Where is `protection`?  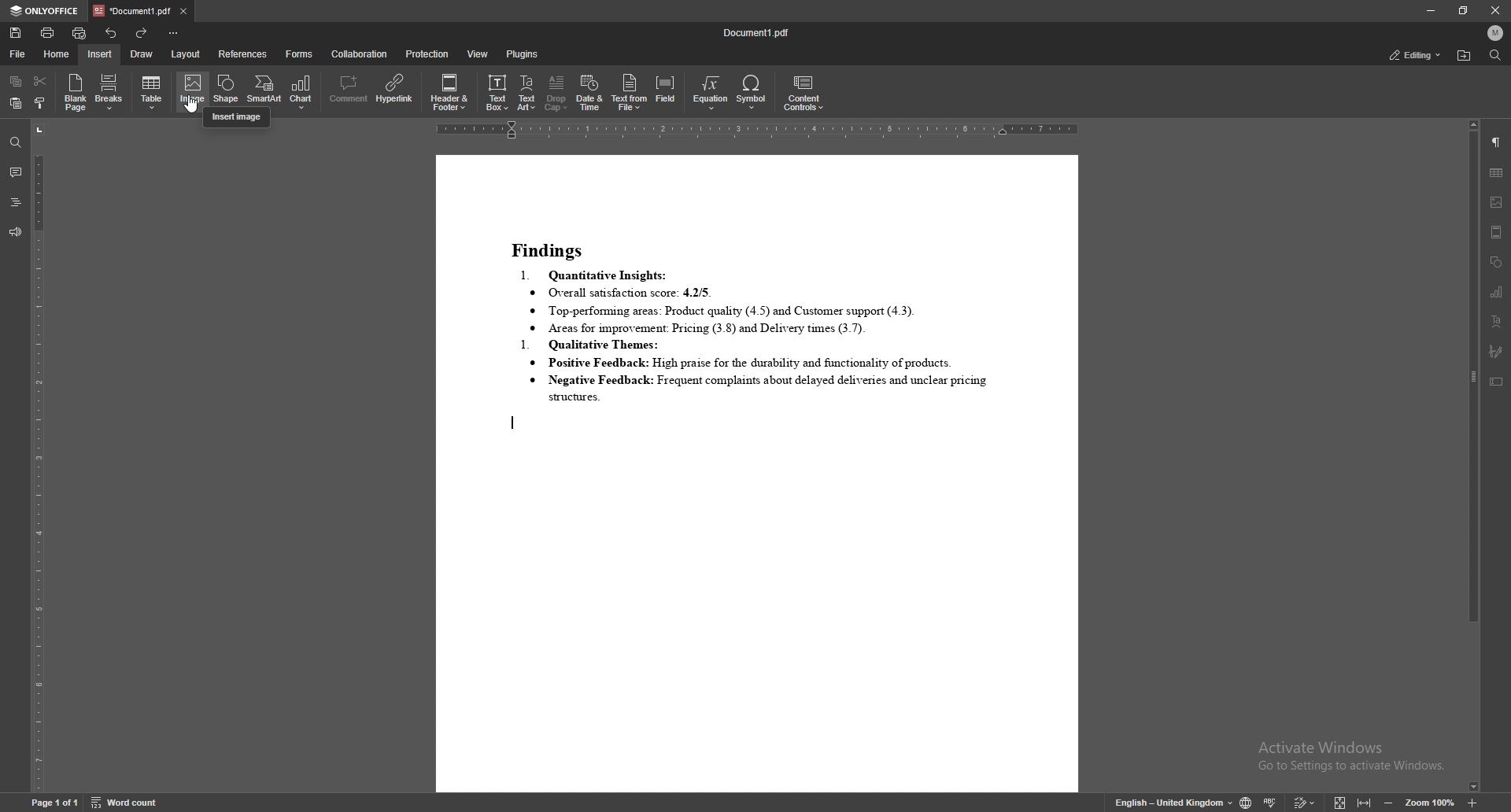
protection is located at coordinates (427, 54).